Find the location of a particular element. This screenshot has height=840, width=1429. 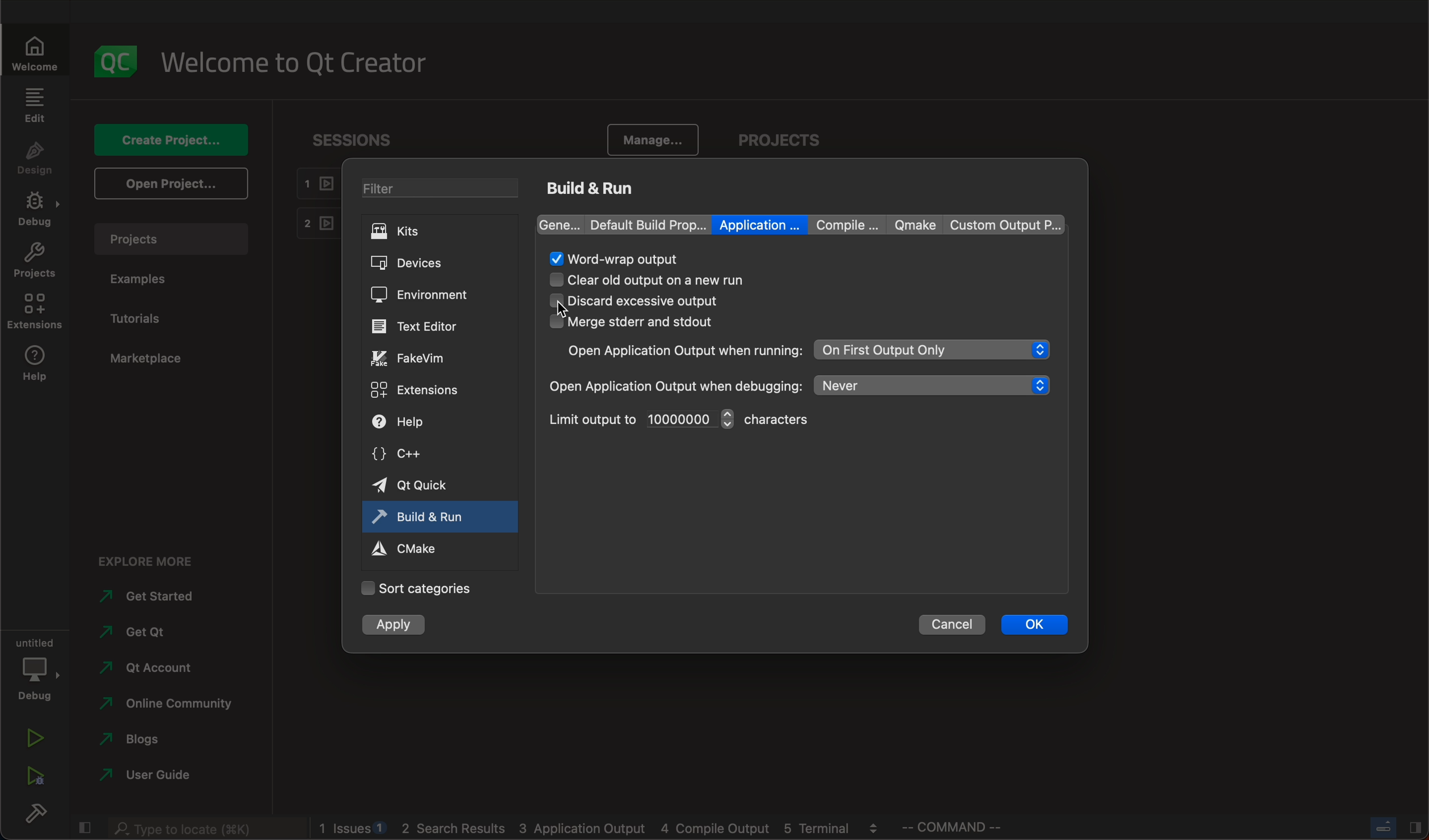

edit  is located at coordinates (36, 104).